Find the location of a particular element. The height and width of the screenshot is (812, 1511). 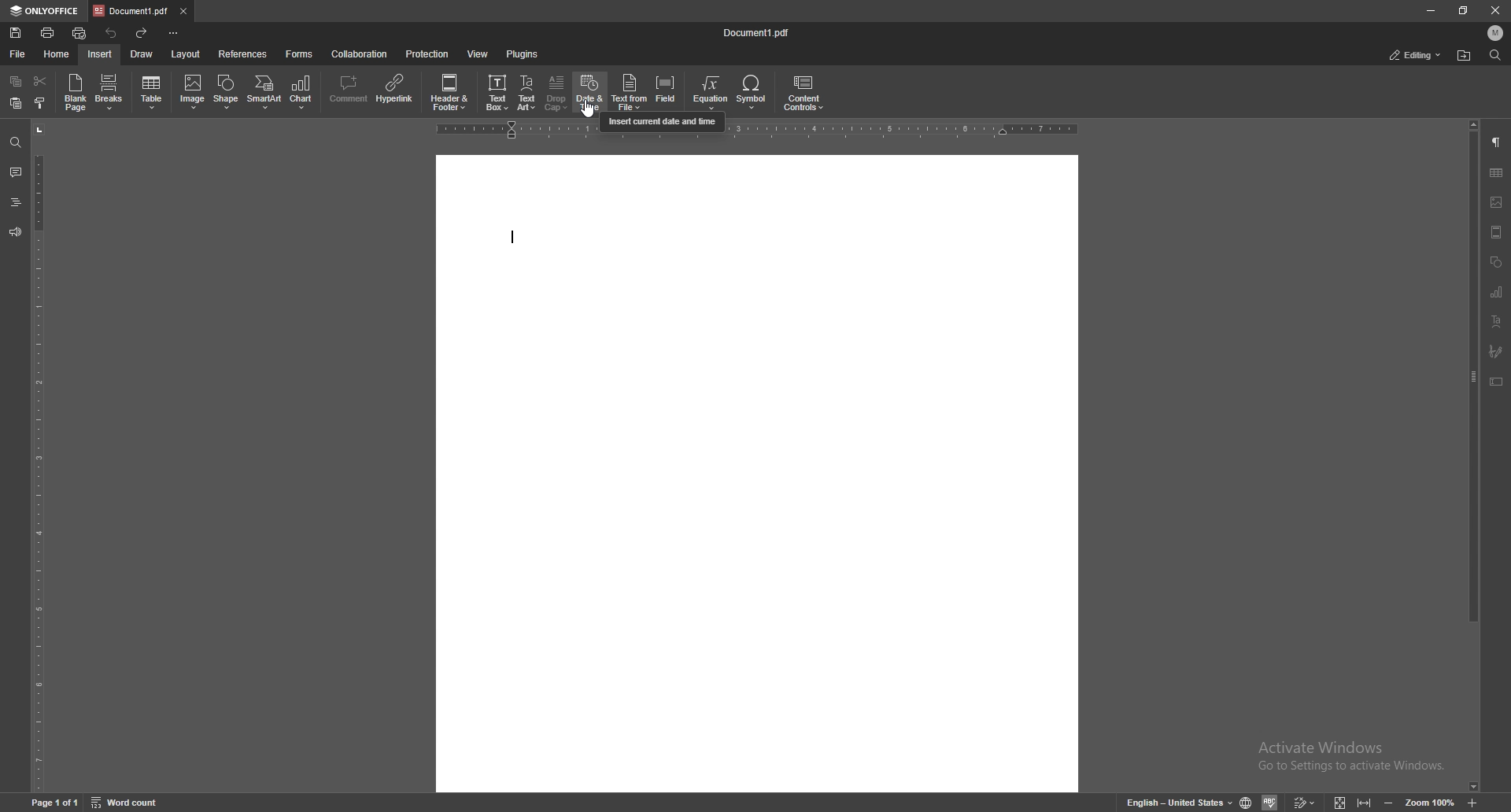

header and footer is located at coordinates (452, 94).